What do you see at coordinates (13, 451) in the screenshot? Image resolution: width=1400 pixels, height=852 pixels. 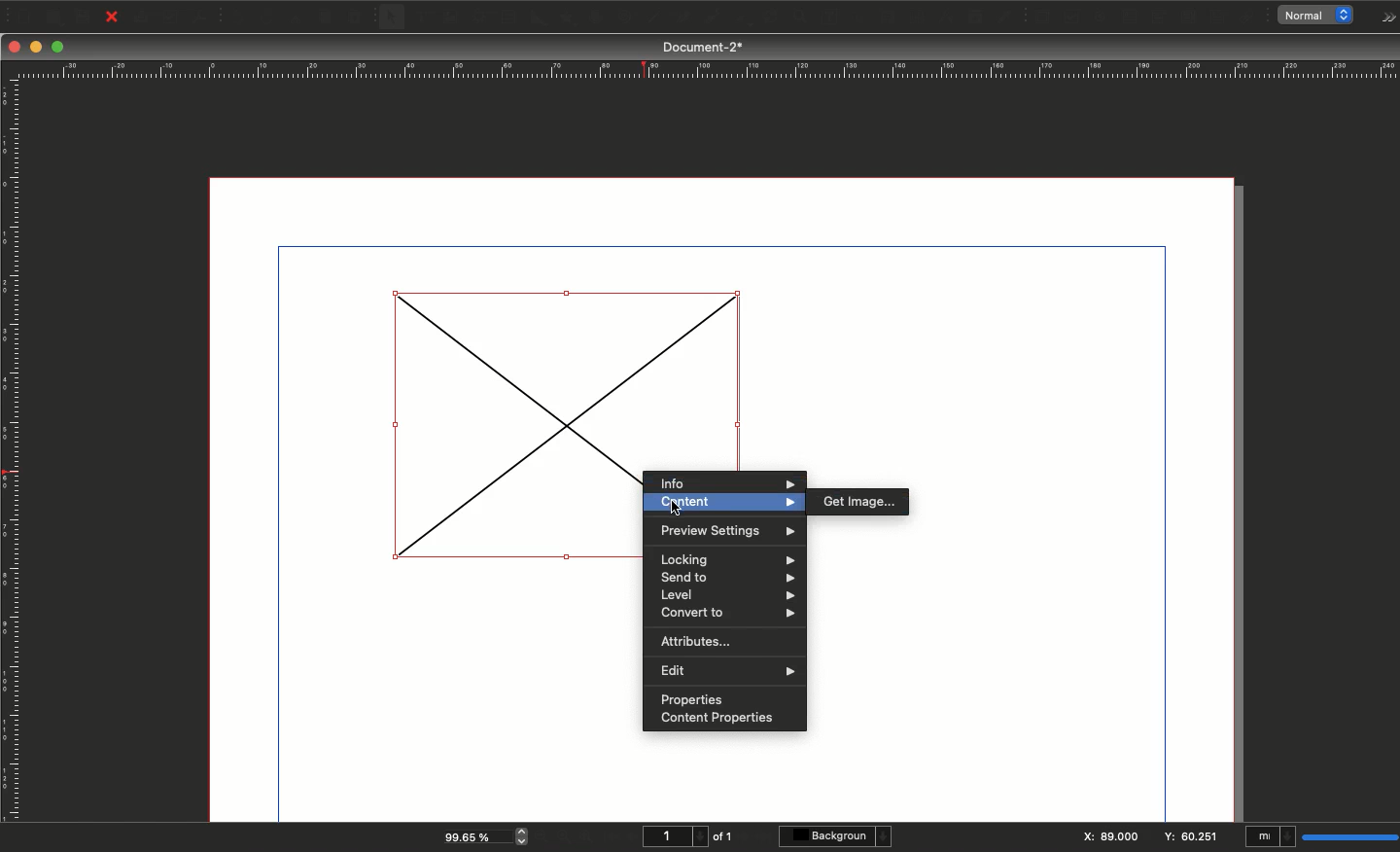 I see `Ruler` at bounding box center [13, 451].